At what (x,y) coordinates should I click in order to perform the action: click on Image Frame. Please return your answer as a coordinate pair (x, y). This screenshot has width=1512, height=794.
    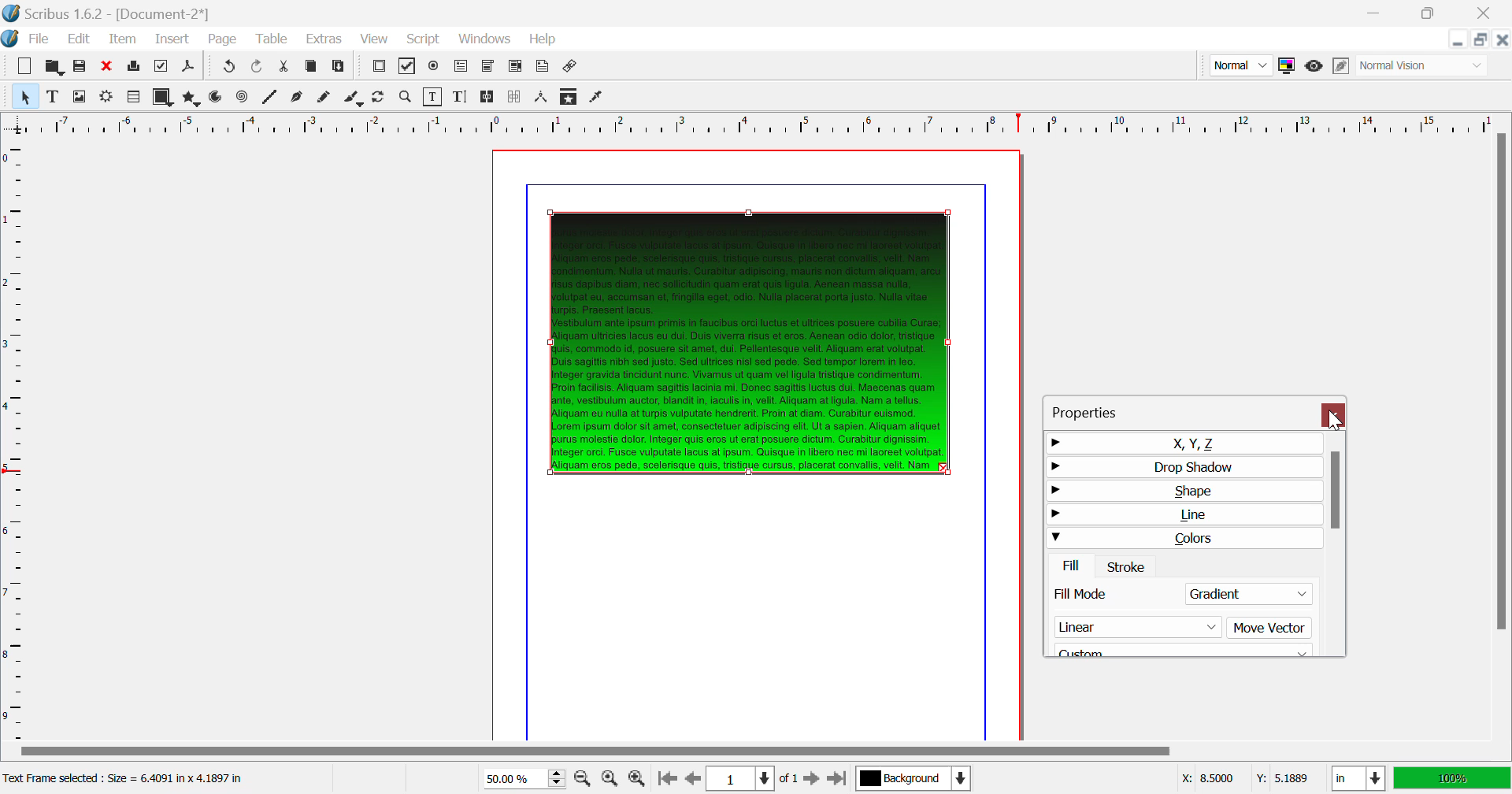
    Looking at the image, I should click on (79, 96).